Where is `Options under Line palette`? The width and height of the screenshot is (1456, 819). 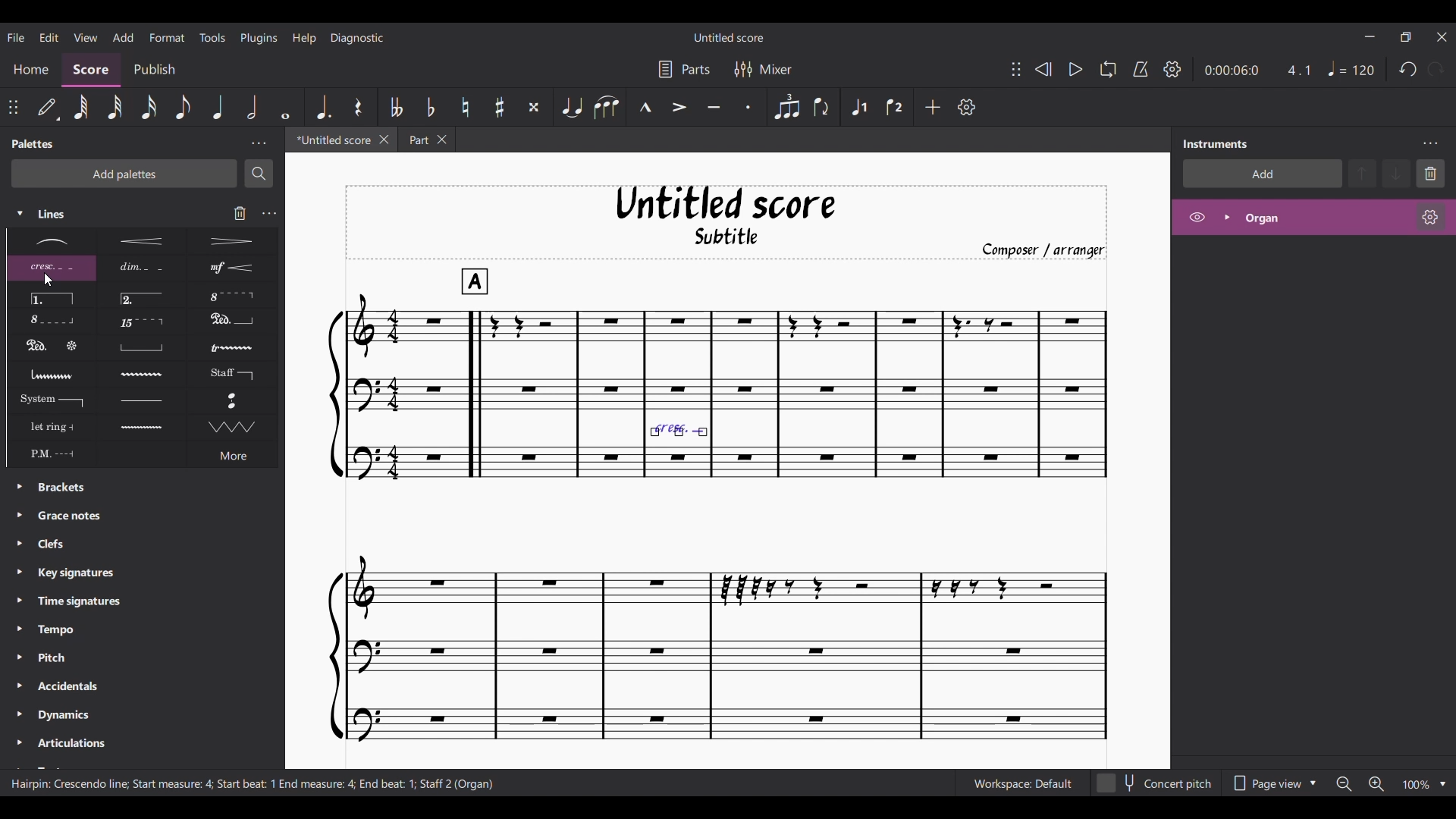
Options under Line palette is located at coordinates (141, 348).